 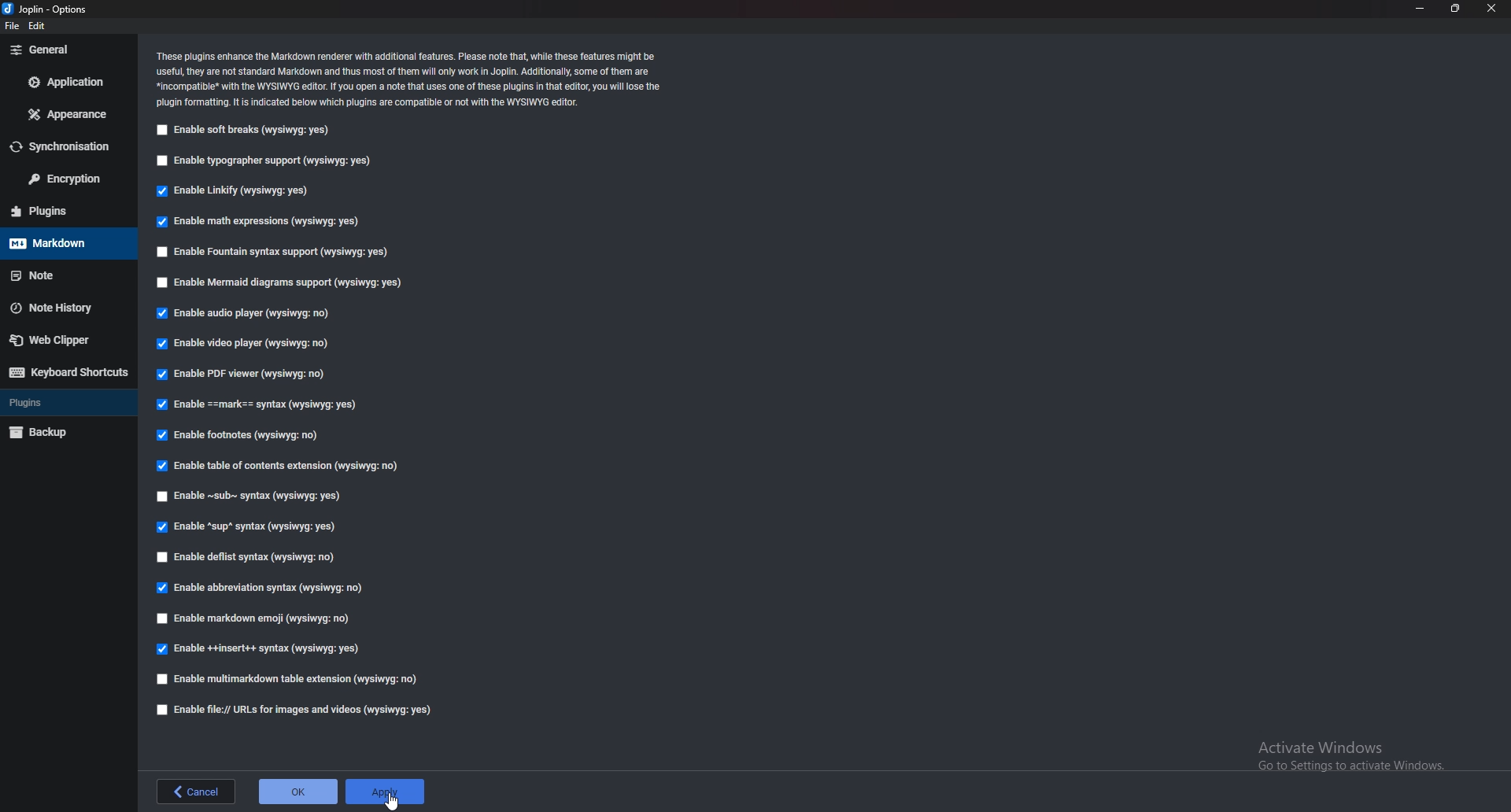 What do you see at coordinates (68, 179) in the screenshot?
I see `Encryption` at bounding box center [68, 179].